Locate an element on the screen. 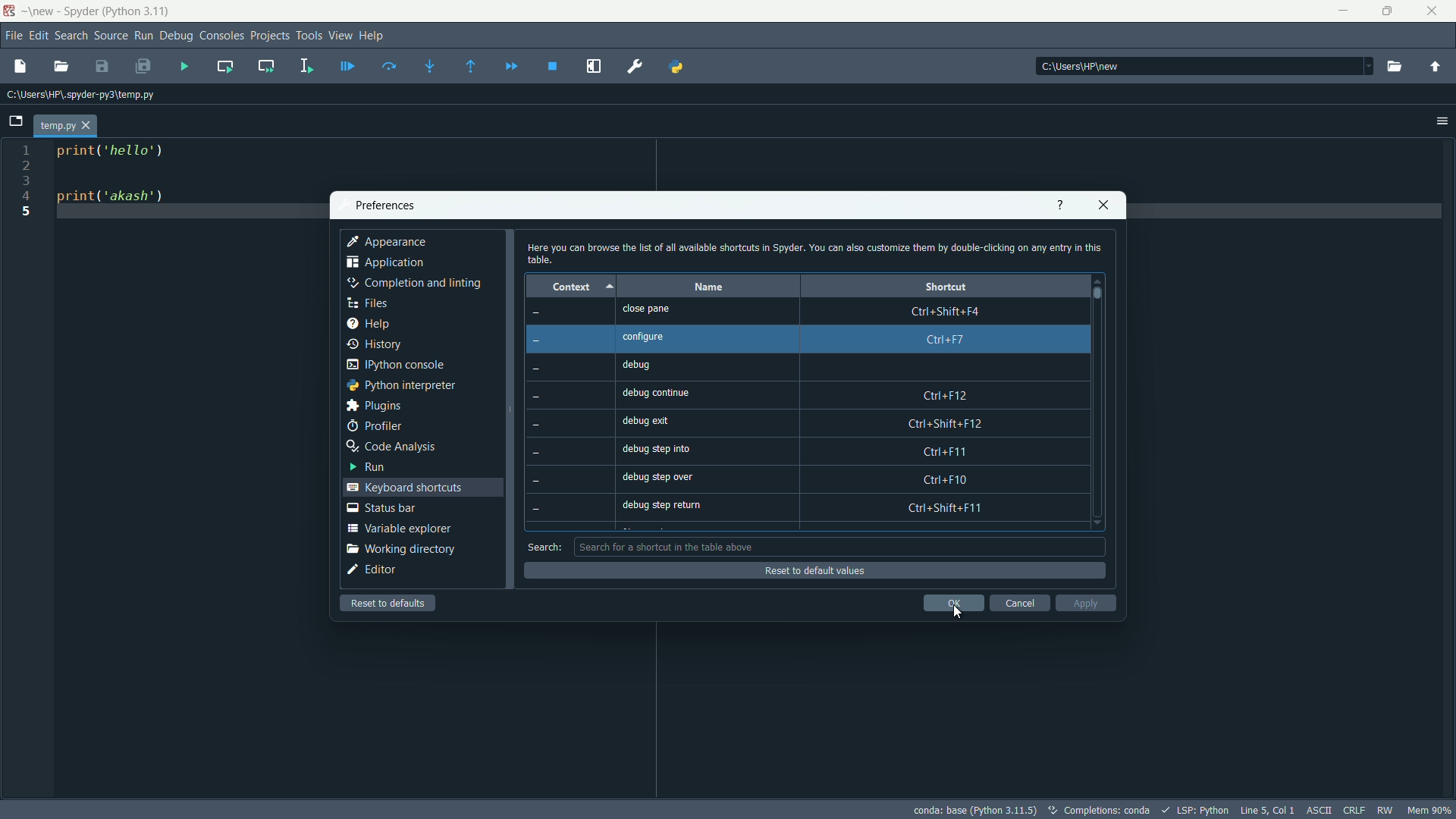 This screenshot has height=819, width=1456. file tab is located at coordinates (67, 127).